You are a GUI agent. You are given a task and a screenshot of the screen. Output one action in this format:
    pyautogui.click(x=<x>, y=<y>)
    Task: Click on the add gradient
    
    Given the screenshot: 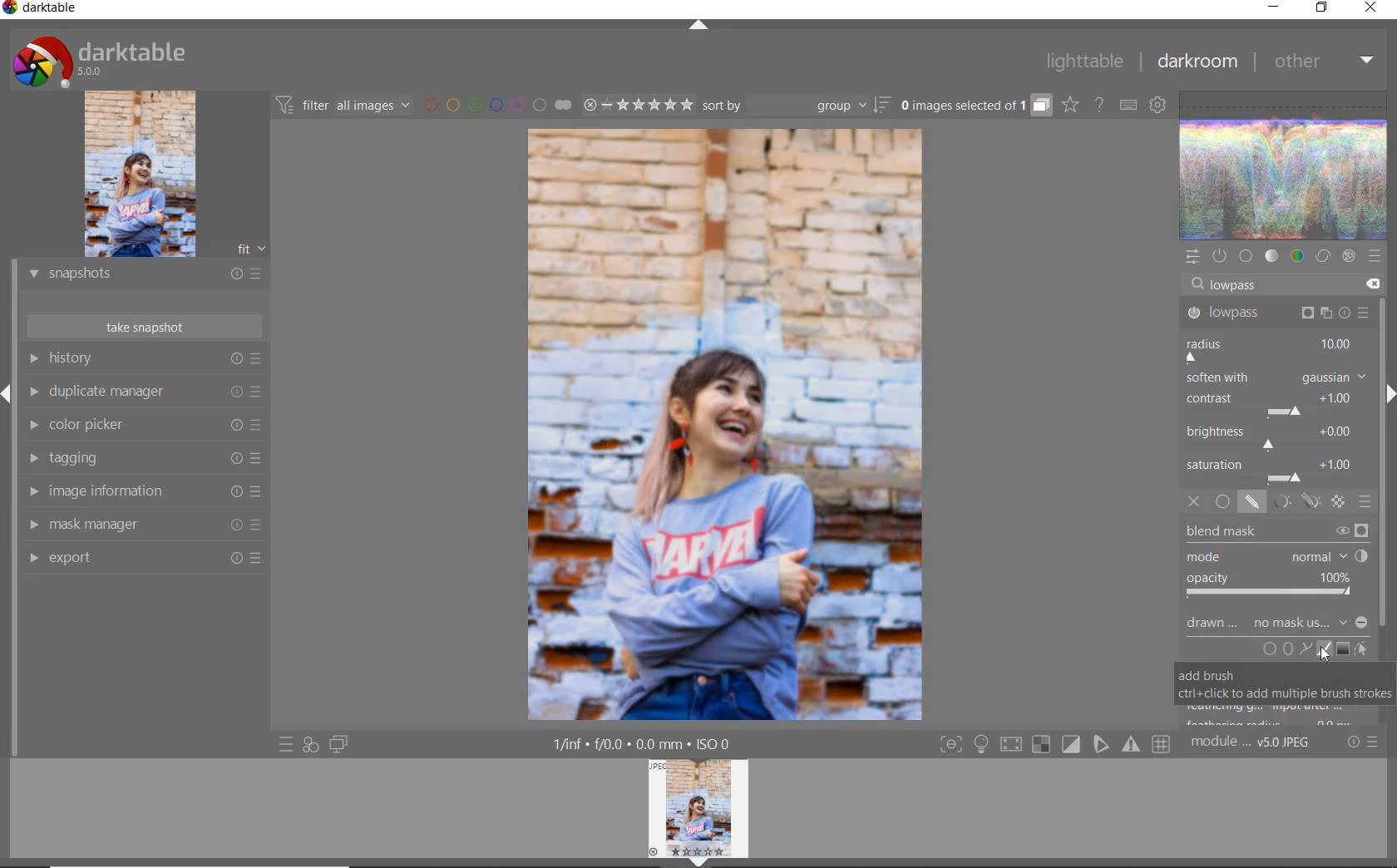 What is the action you would take?
    pyautogui.click(x=1344, y=649)
    